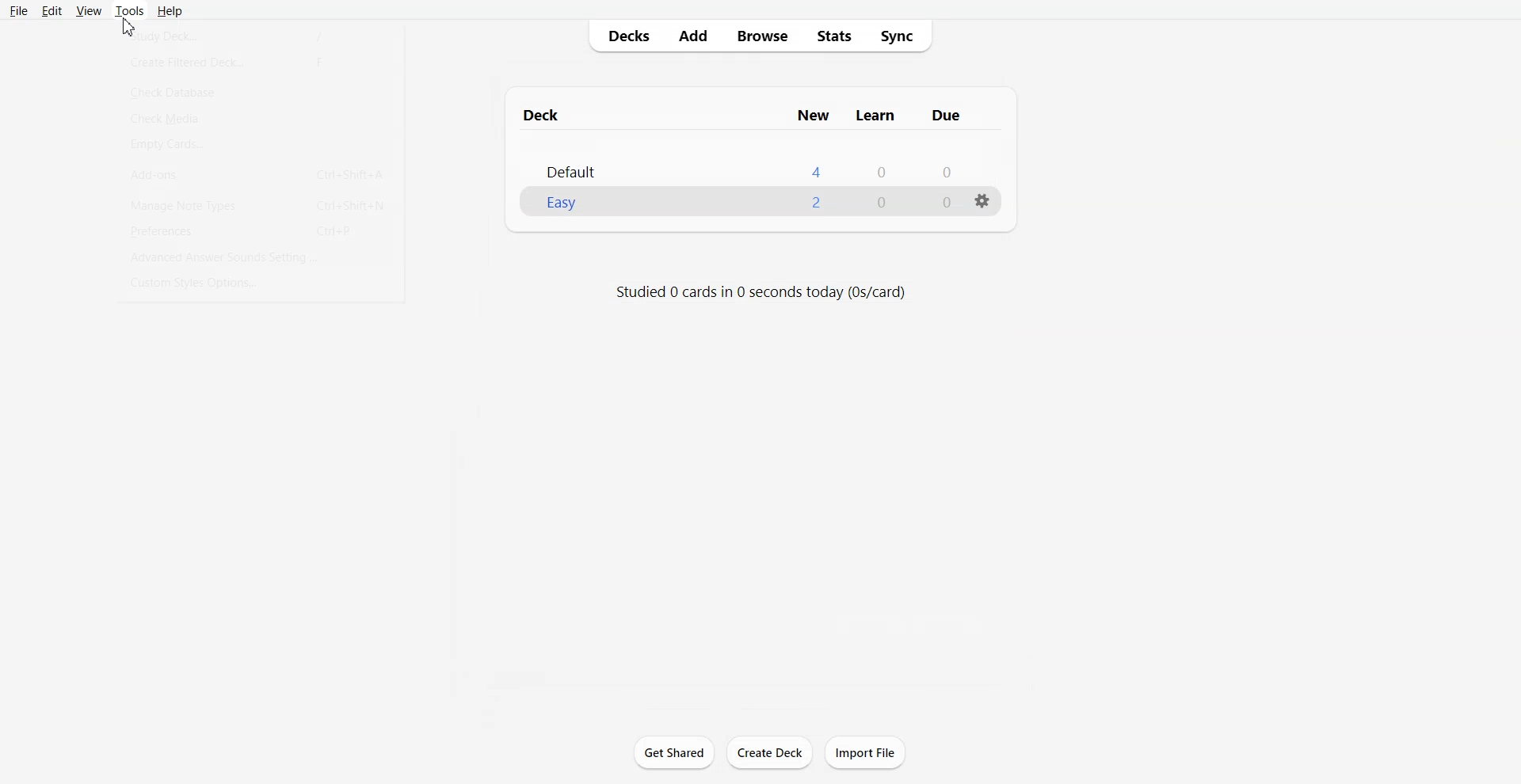 This screenshot has width=1521, height=784. What do you see at coordinates (834, 36) in the screenshot?
I see `Stats` at bounding box center [834, 36].